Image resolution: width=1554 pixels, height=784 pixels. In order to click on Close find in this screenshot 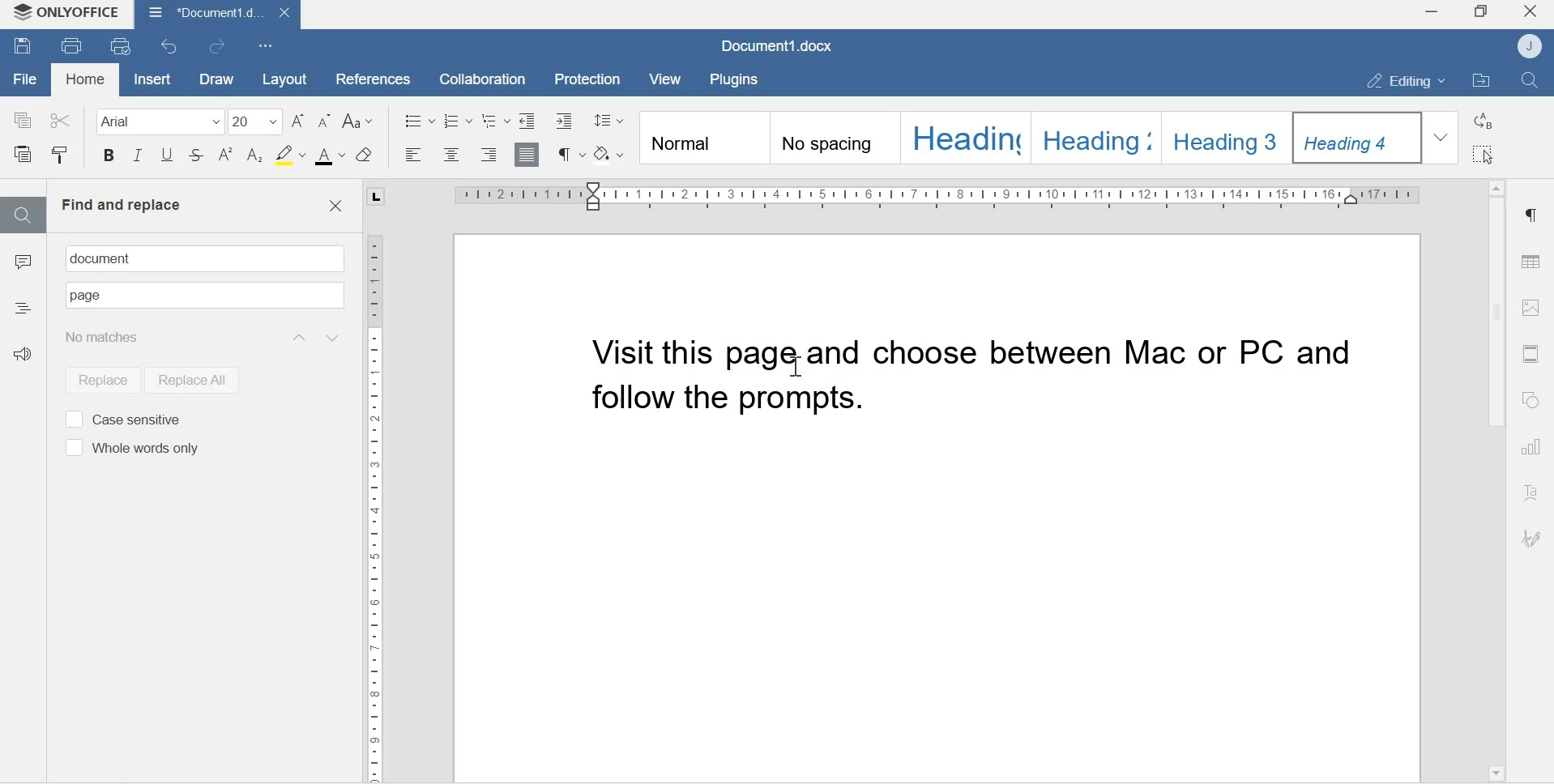, I will do `click(335, 207)`.